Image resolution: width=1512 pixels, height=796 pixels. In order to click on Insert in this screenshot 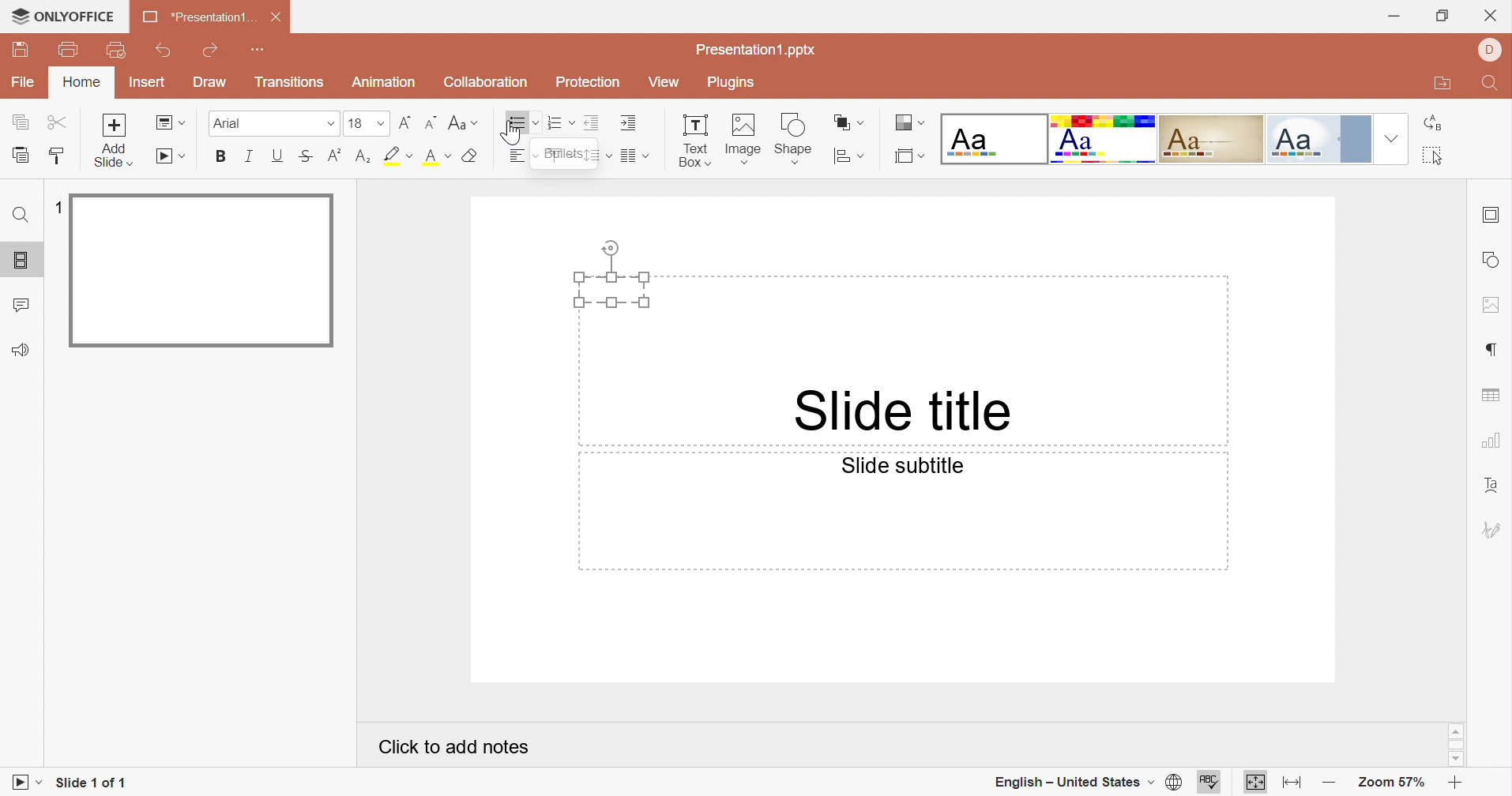, I will do `click(149, 84)`.